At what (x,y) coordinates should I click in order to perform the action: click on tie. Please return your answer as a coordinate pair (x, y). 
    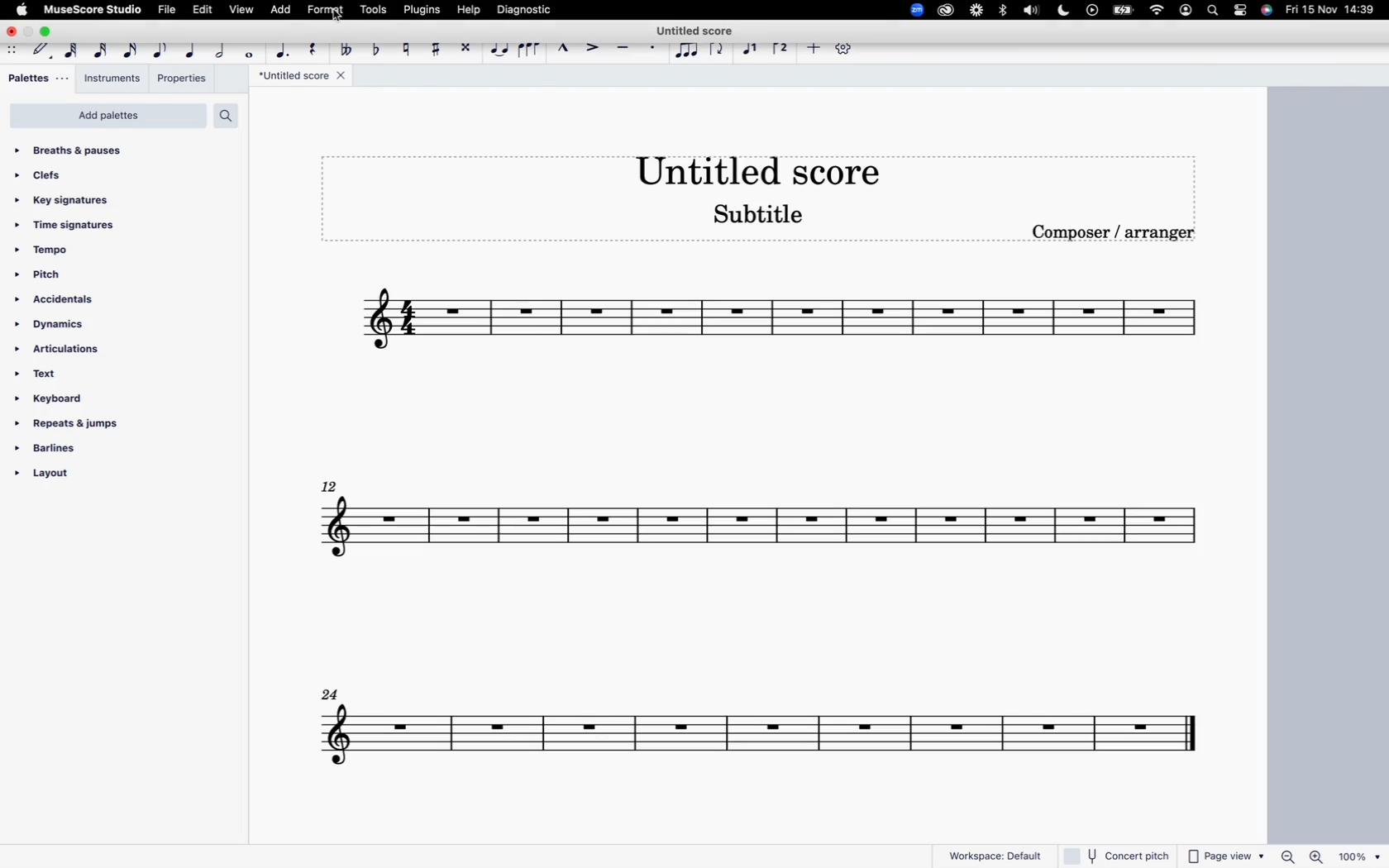
    Looking at the image, I should click on (499, 51).